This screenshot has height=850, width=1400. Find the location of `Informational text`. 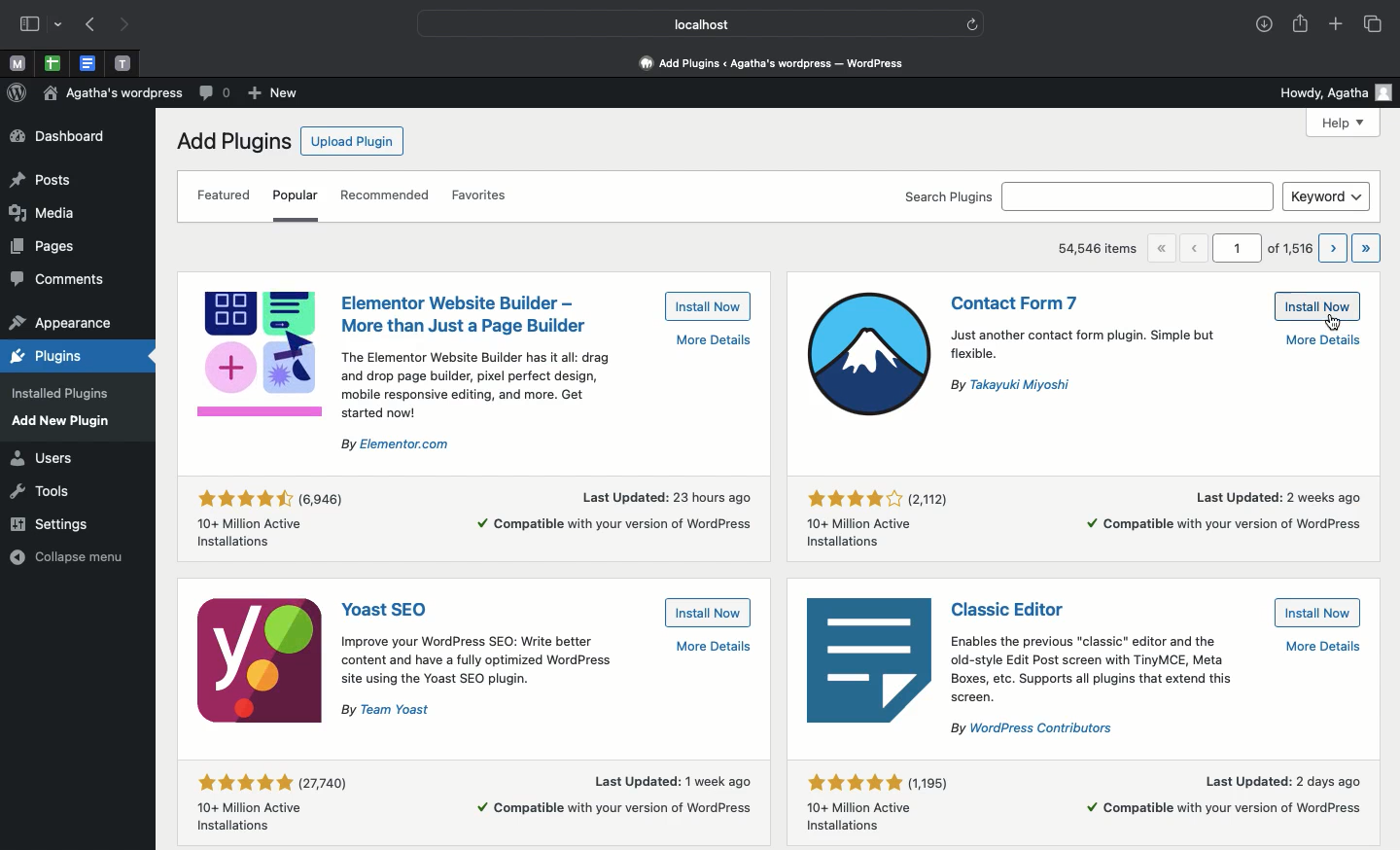

Informational text is located at coordinates (1107, 688).